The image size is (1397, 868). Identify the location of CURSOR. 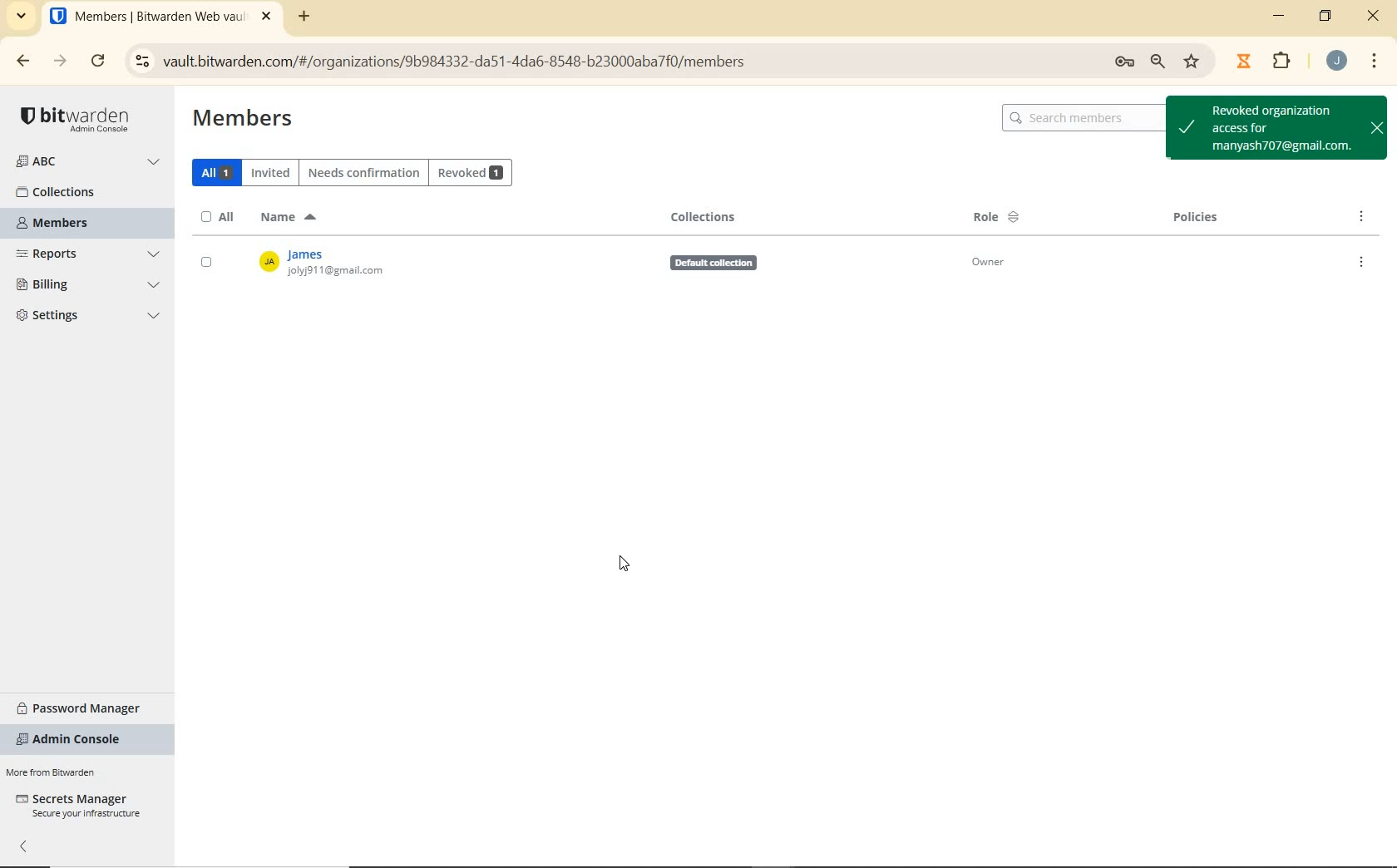
(625, 563).